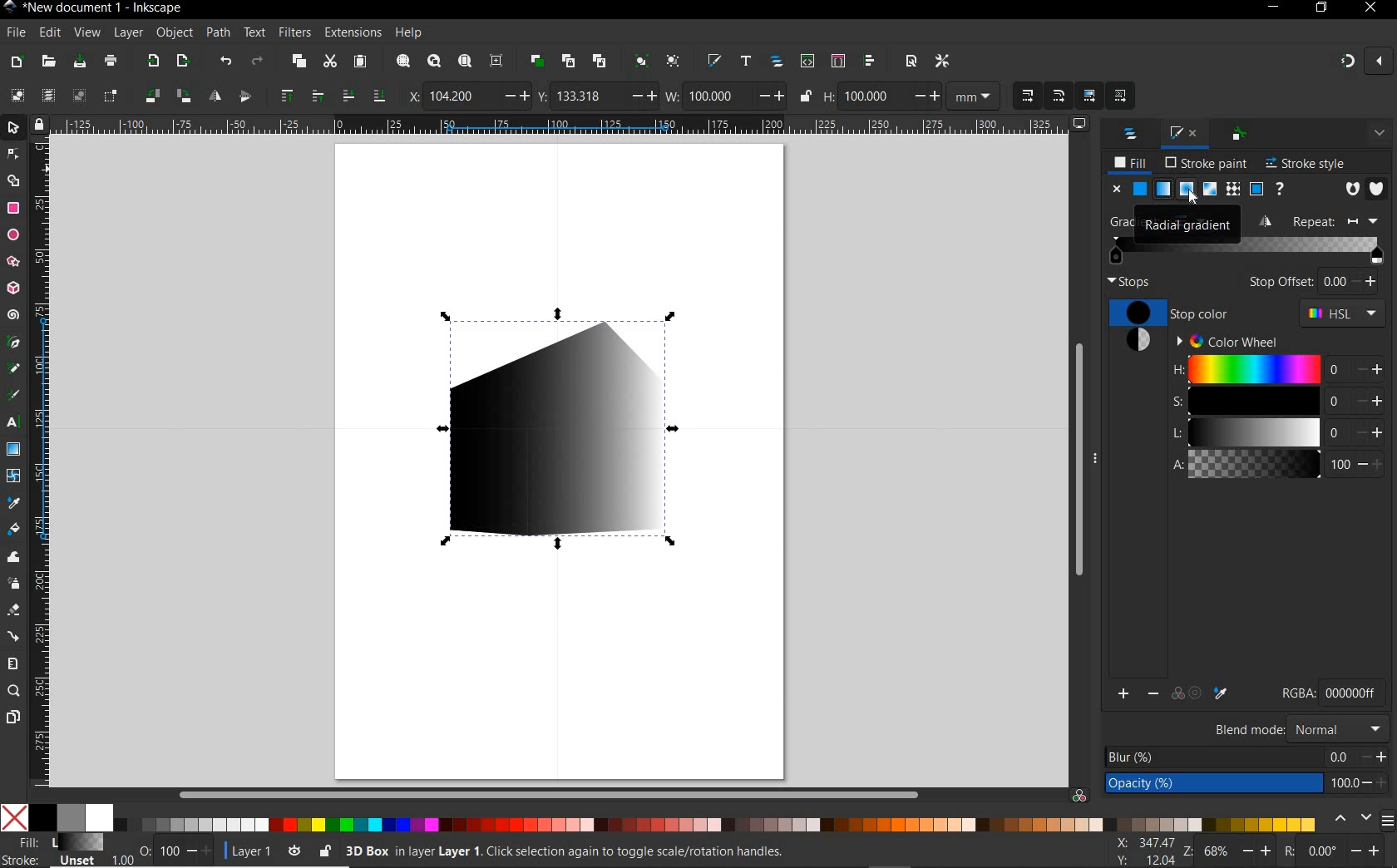  I want to click on FILL AND STROKE, so click(52, 850).